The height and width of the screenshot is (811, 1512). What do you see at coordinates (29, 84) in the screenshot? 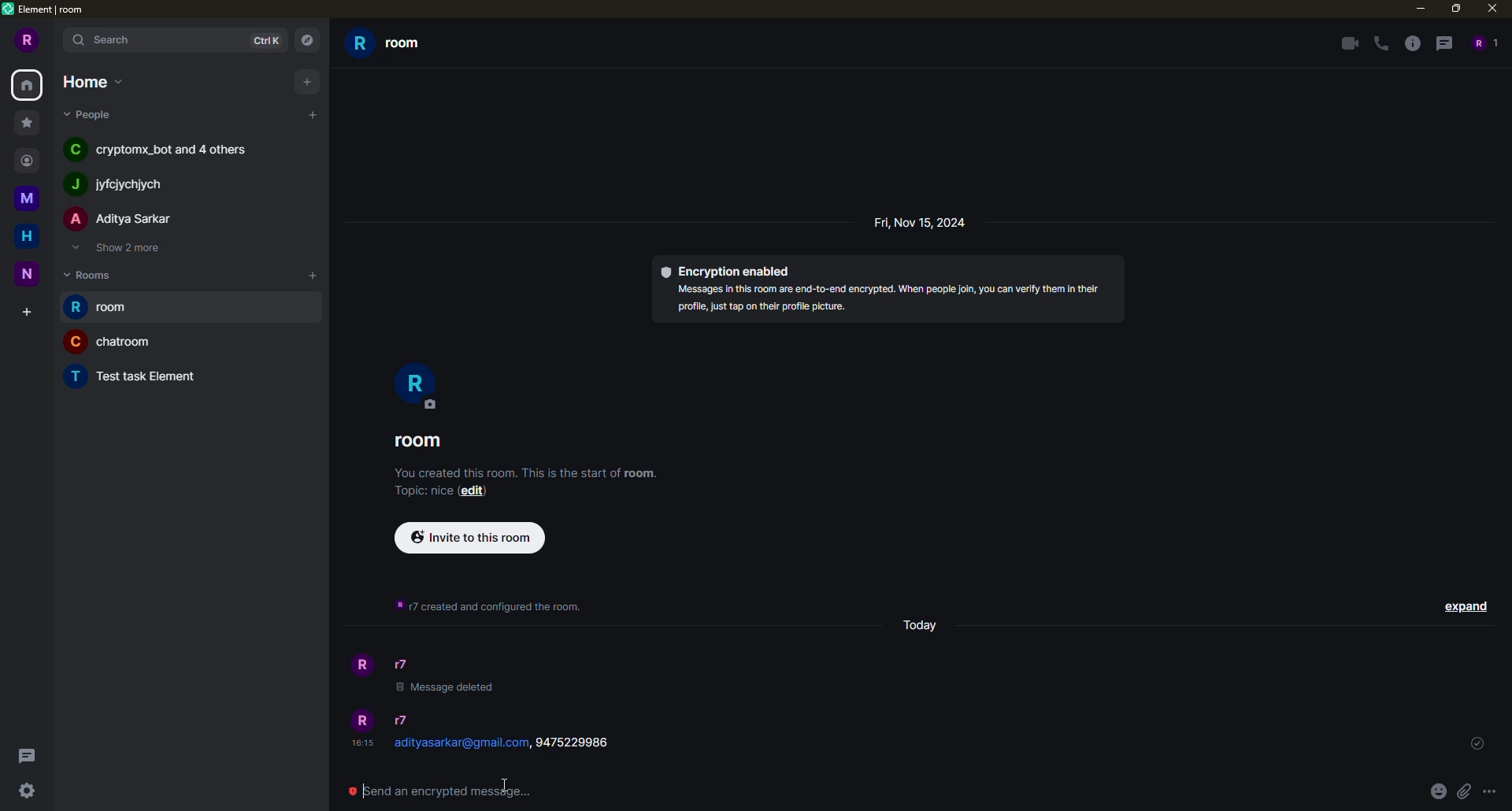
I see `home` at bounding box center [29, 84].